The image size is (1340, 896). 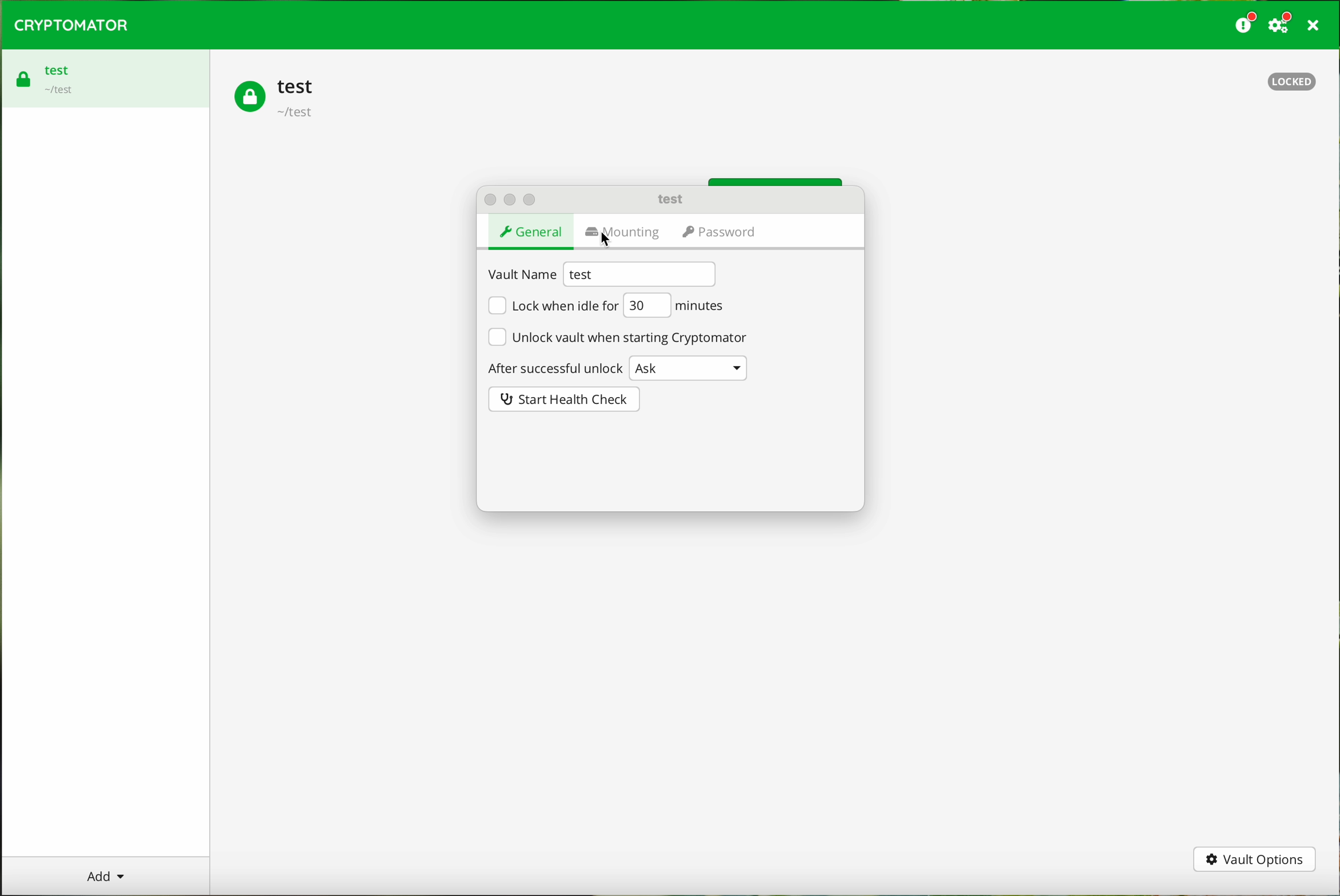 I want to click on after successful unlock, so click(x=556, y=369).